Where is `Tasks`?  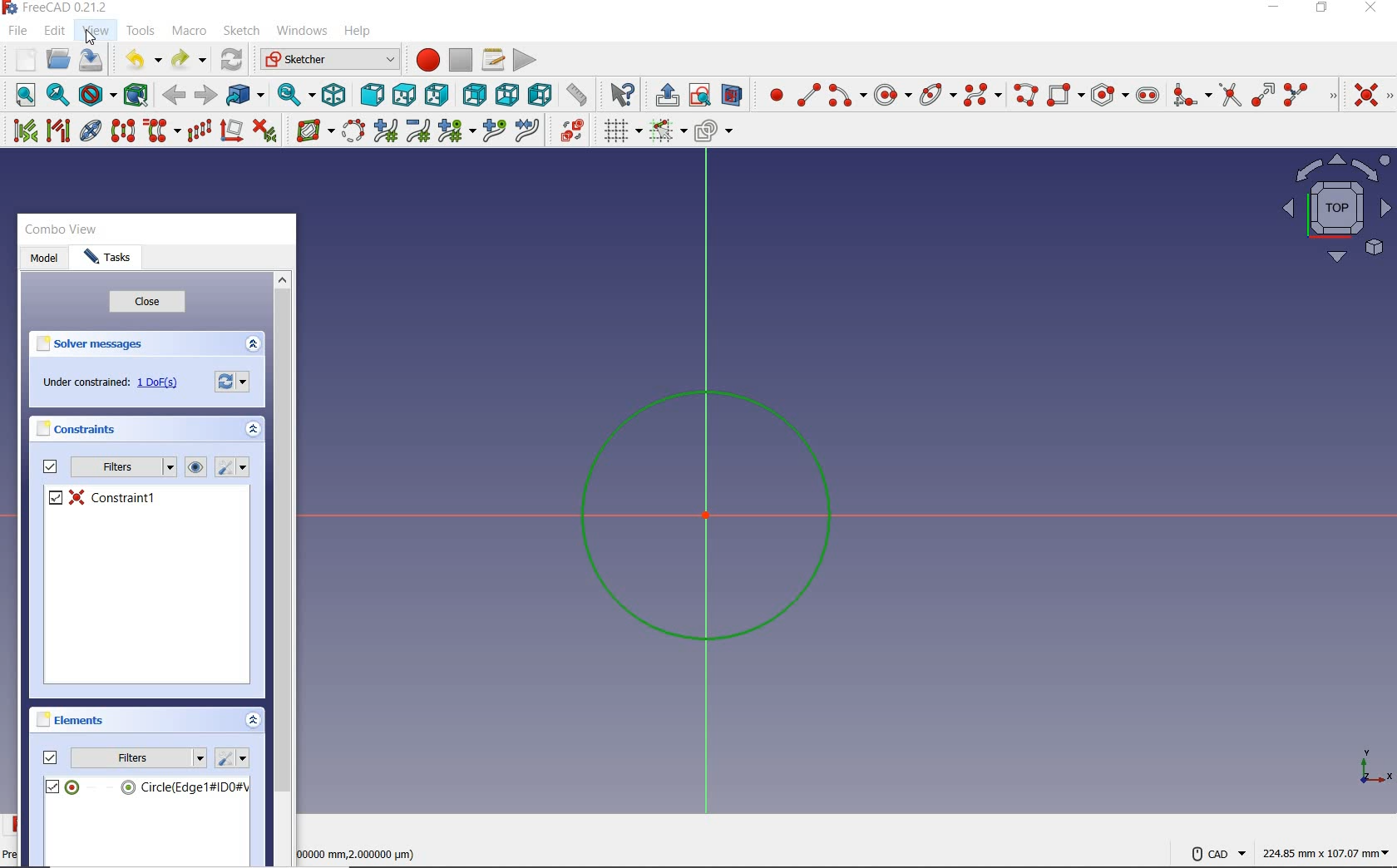
Tasks is located at coordinates (104, 258).